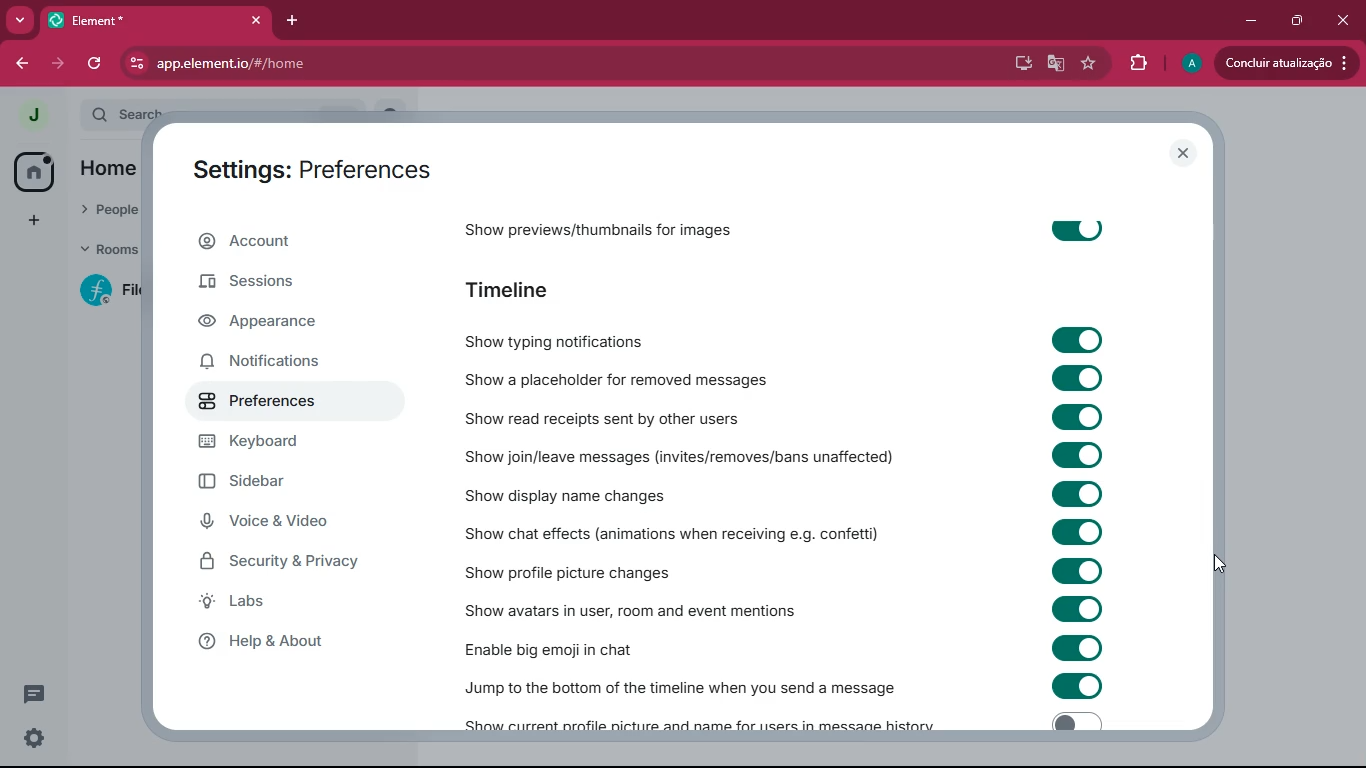 The height and width of the screenshot is (768, 1366). Describe the element at coordinates (604, 225) in the screenshot. I see `show previews/thumbnails for images` at that location.